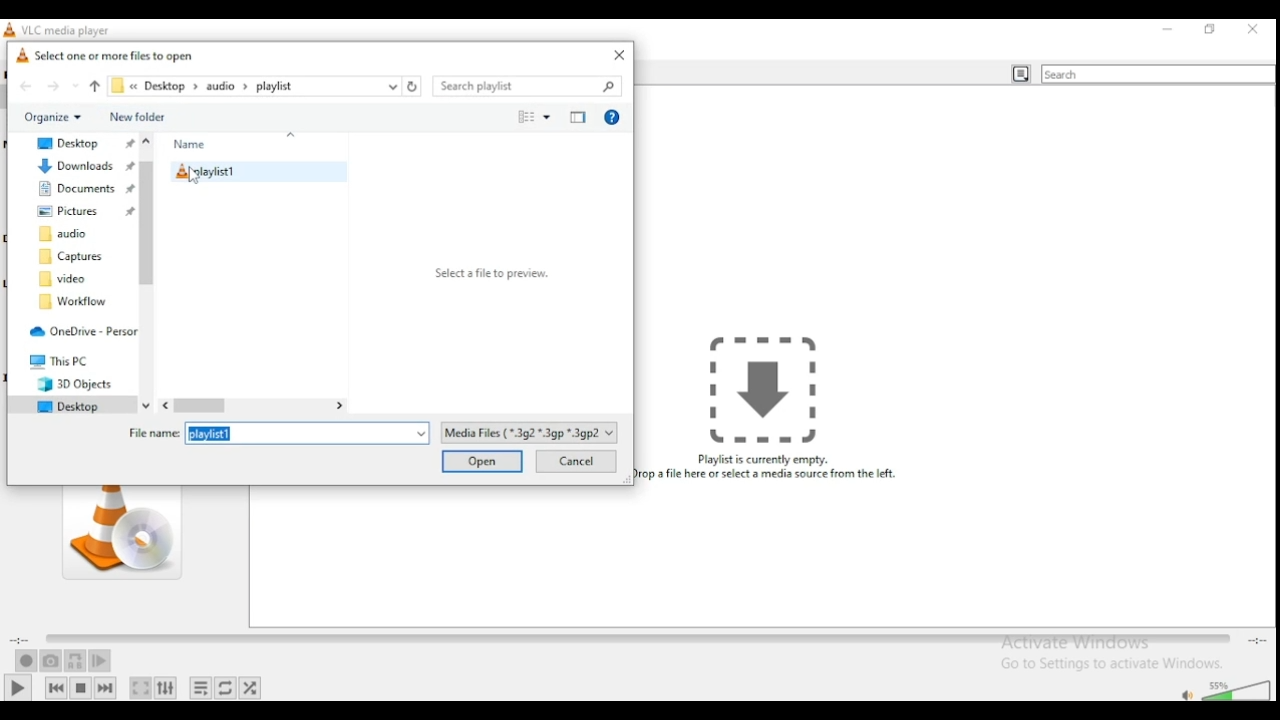 The height and width of the screenshot is (720, 1280). What do you see at coordinates (531, 431) in the screenshot?
I see `file type` at bounding box center [531, 431].